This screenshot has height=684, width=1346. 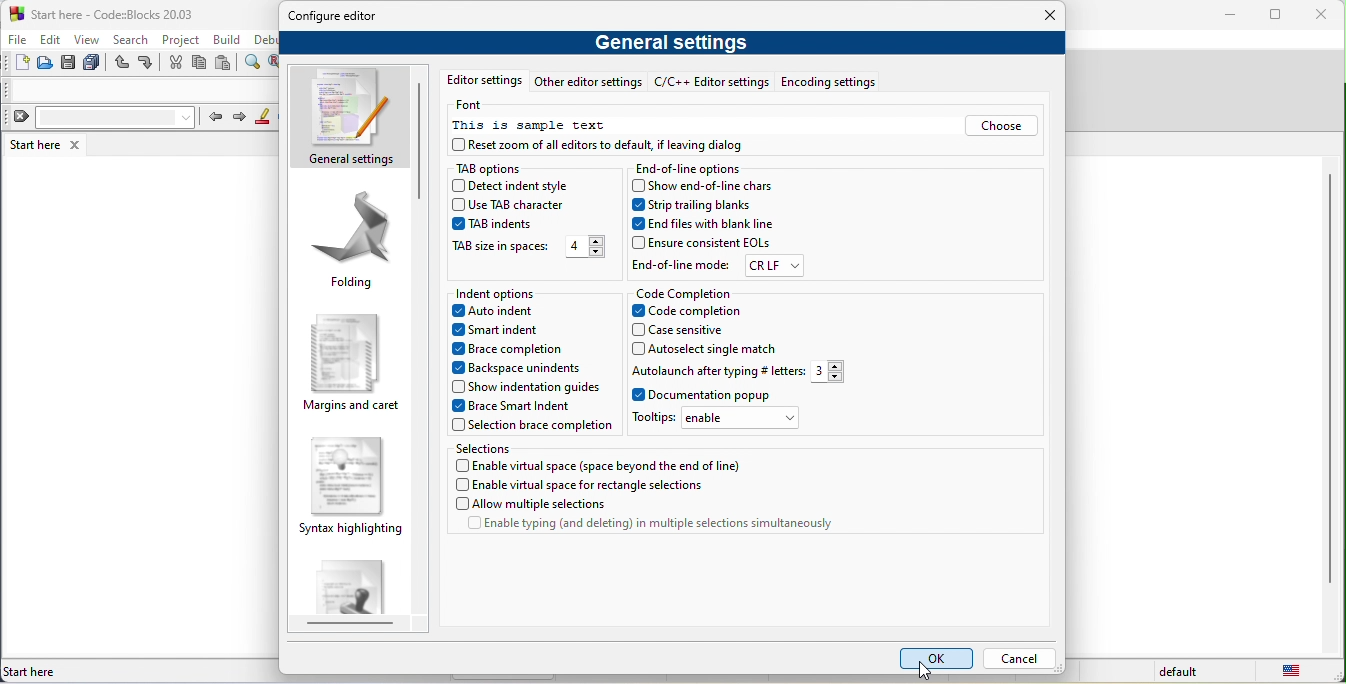 I want to click on paste, so click(x=228, y=64).